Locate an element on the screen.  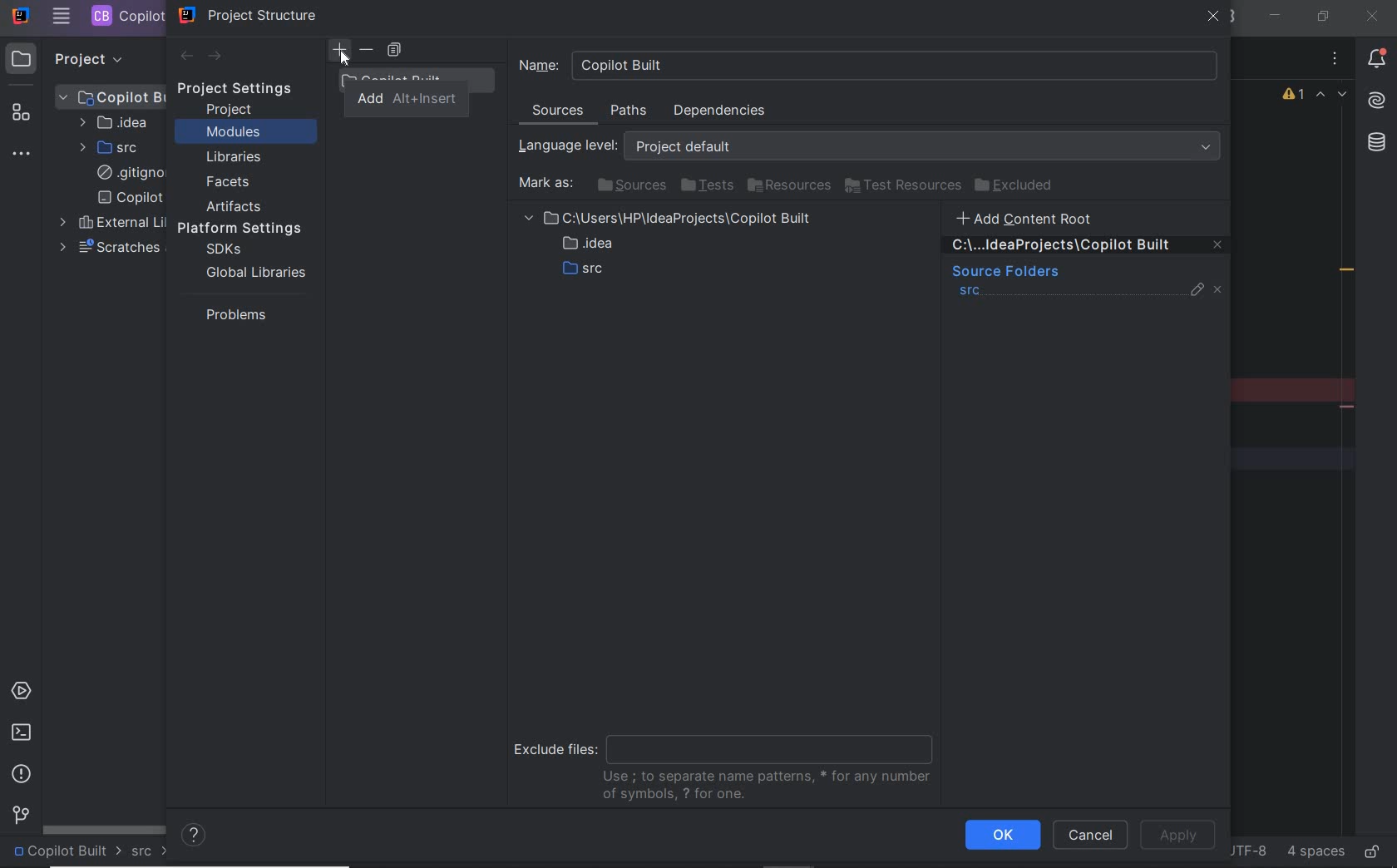
file encoding is located at coordinates (1246, 850).